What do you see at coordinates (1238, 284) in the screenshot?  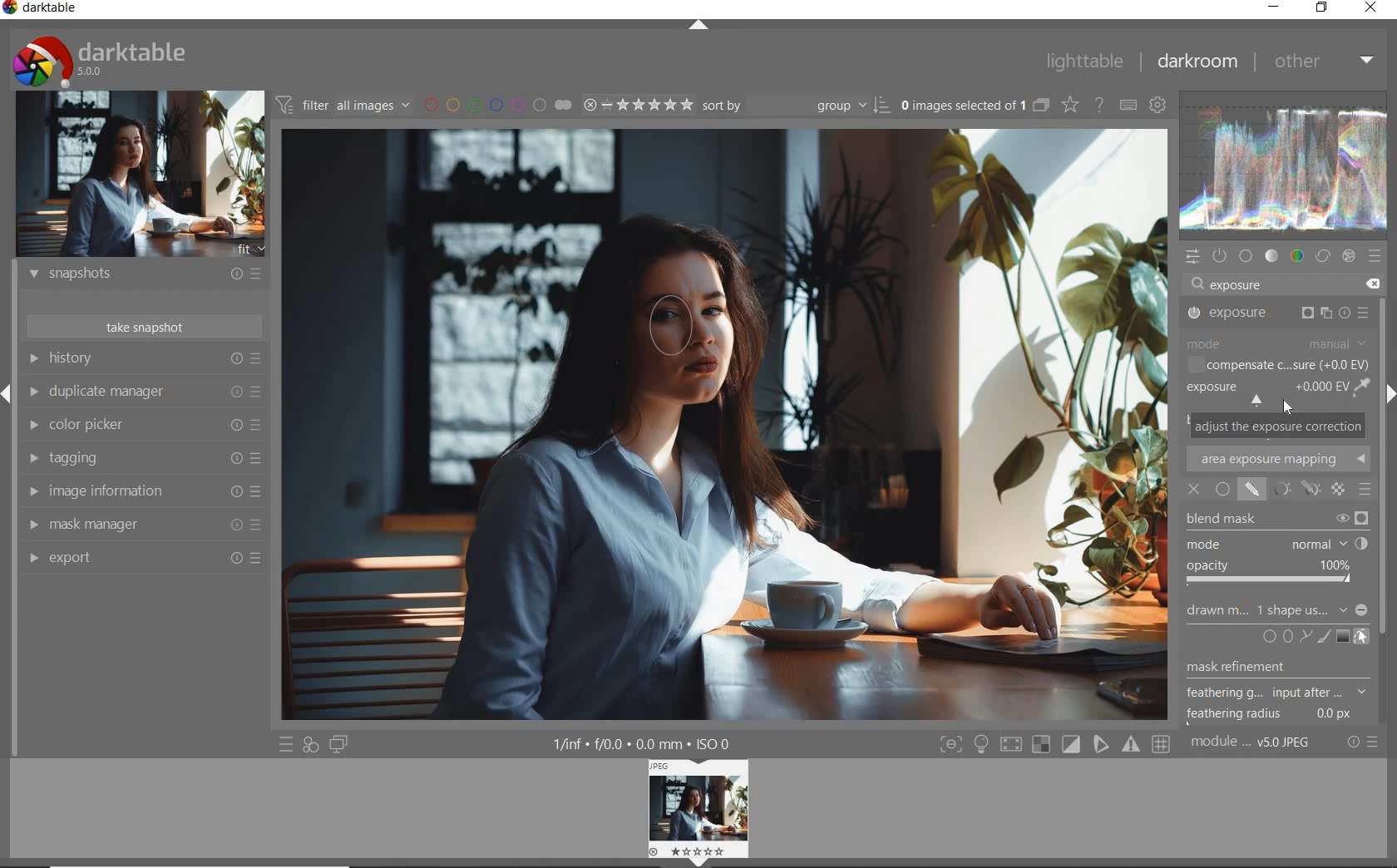 I see `exposure` at bounding box center [1238, 284].